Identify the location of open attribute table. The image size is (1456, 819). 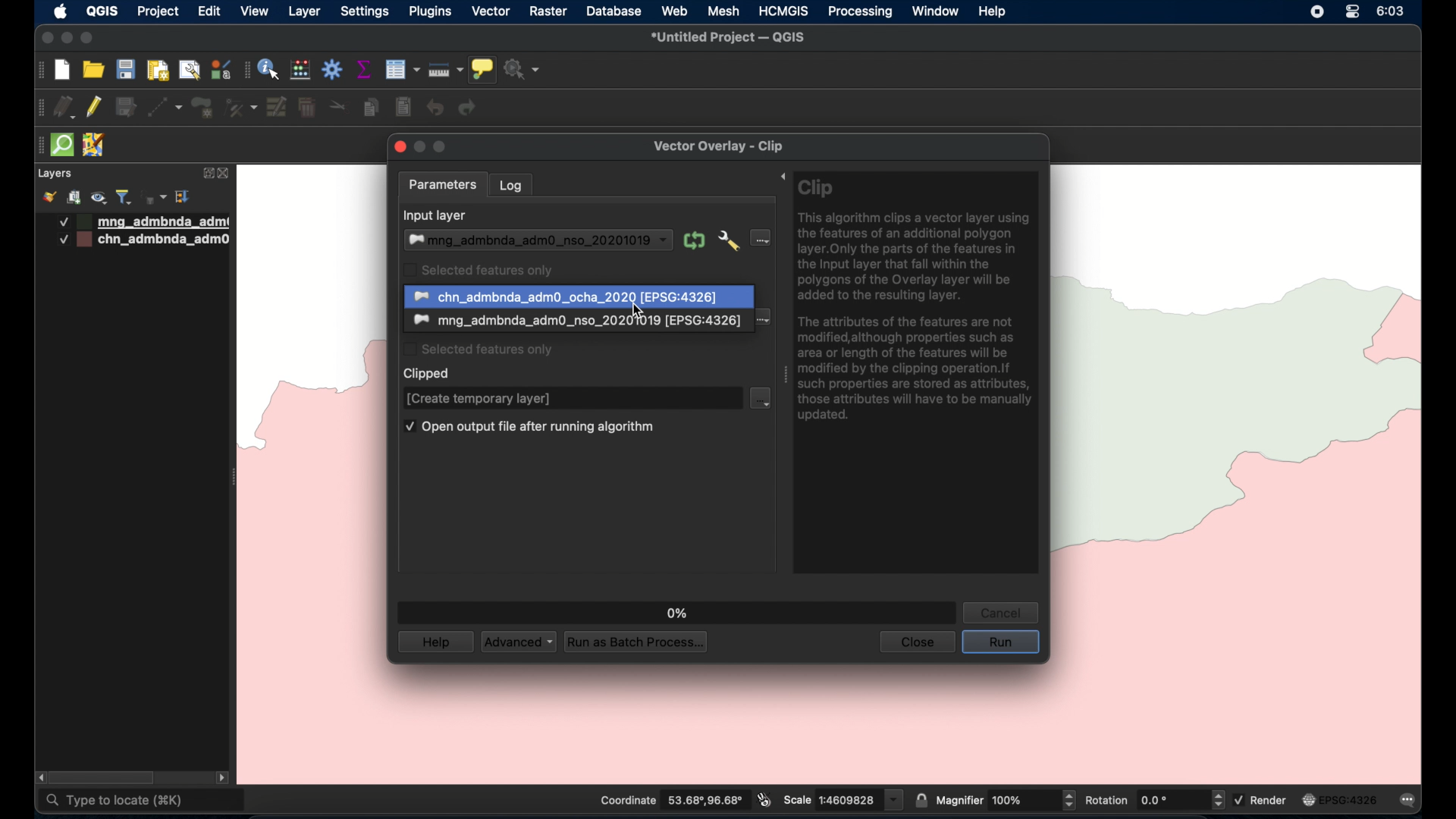
(402, 70).